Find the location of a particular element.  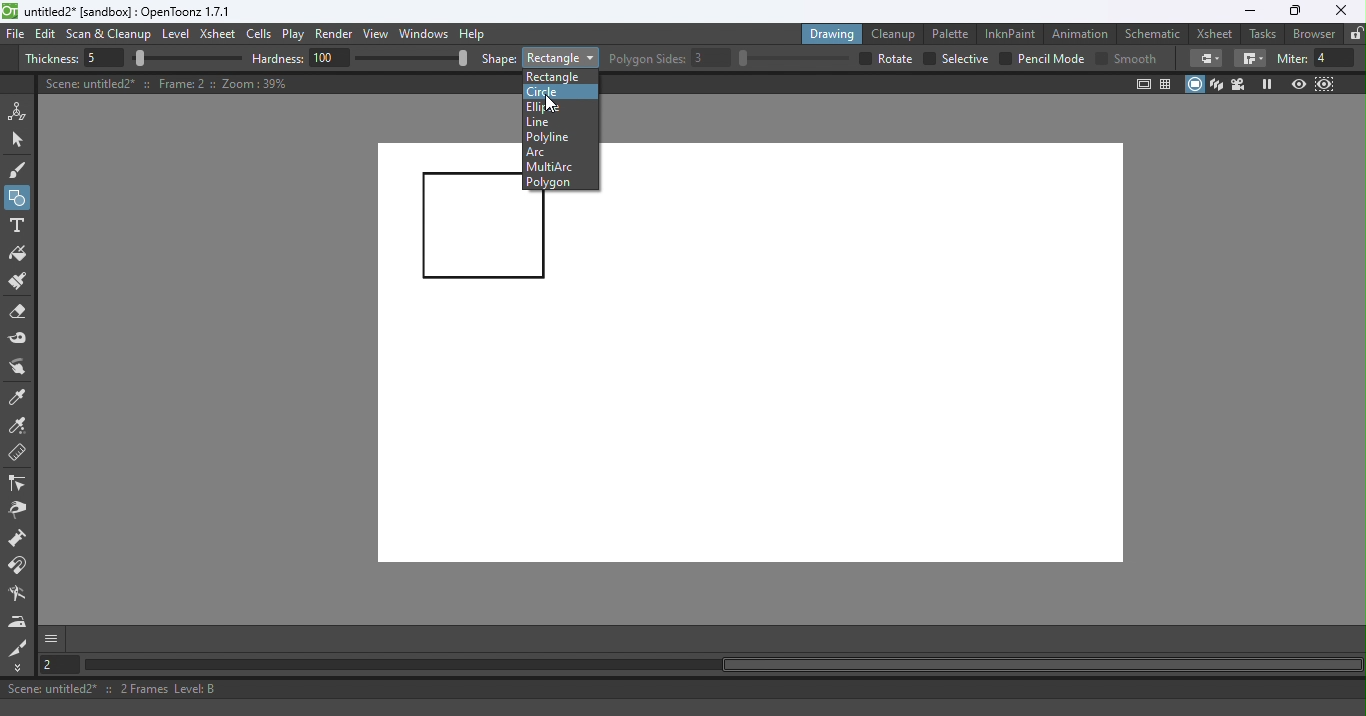

Freeze is located at coordinates (1267, 84).